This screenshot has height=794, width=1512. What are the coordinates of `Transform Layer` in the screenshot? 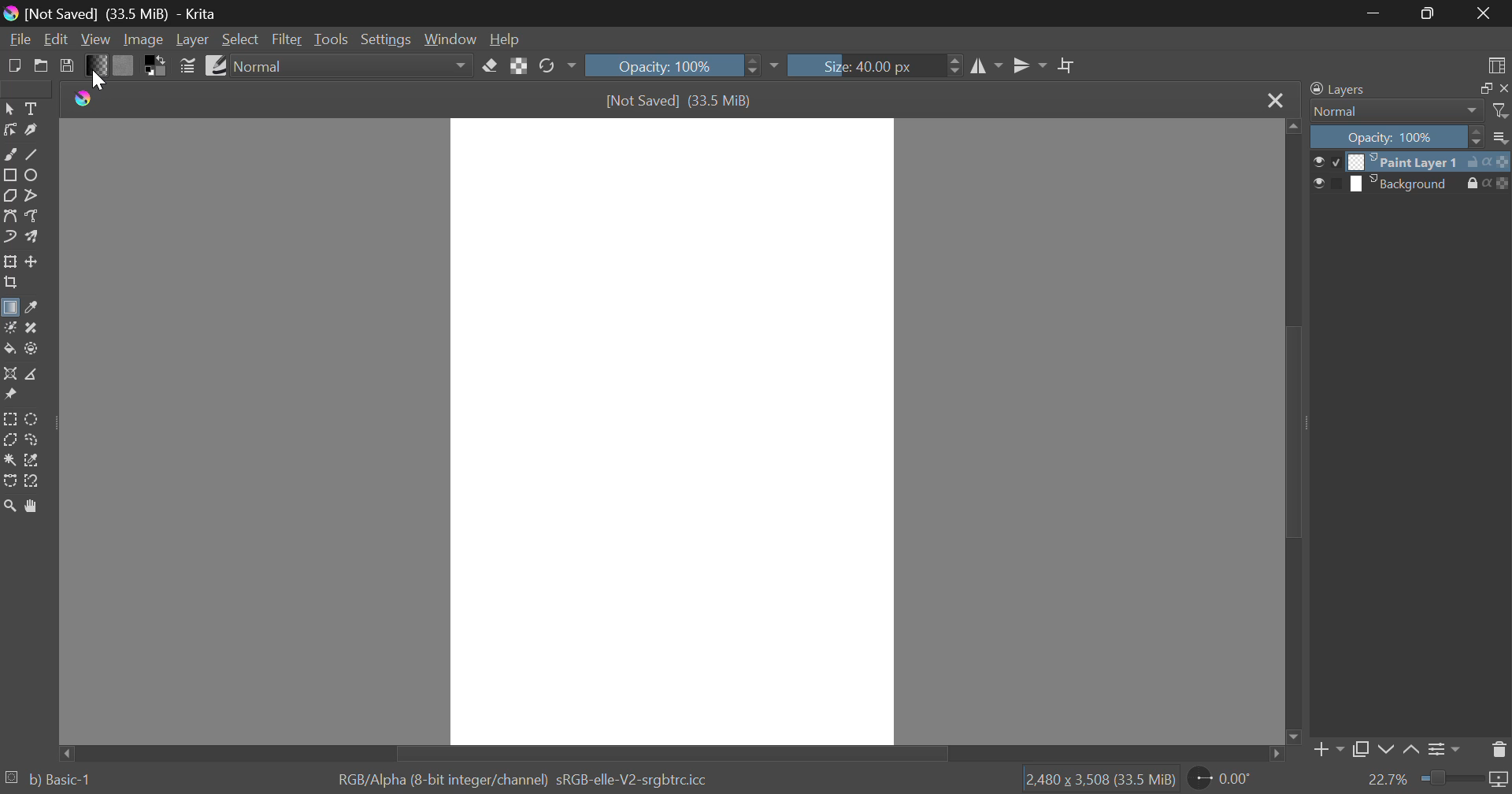 It's located at (9, 262).